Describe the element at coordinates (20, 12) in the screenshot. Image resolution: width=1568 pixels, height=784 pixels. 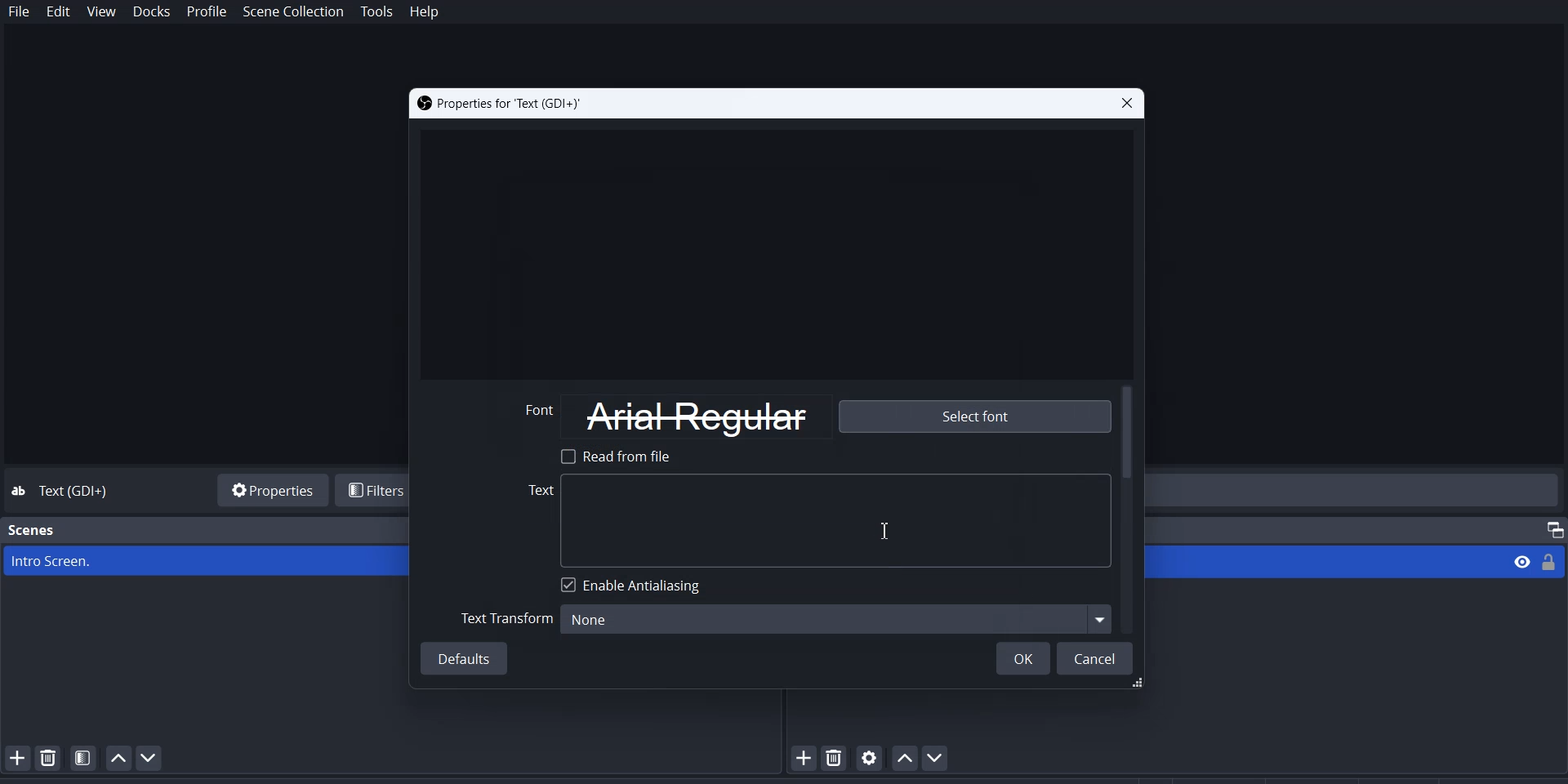
I see `File` at that location.